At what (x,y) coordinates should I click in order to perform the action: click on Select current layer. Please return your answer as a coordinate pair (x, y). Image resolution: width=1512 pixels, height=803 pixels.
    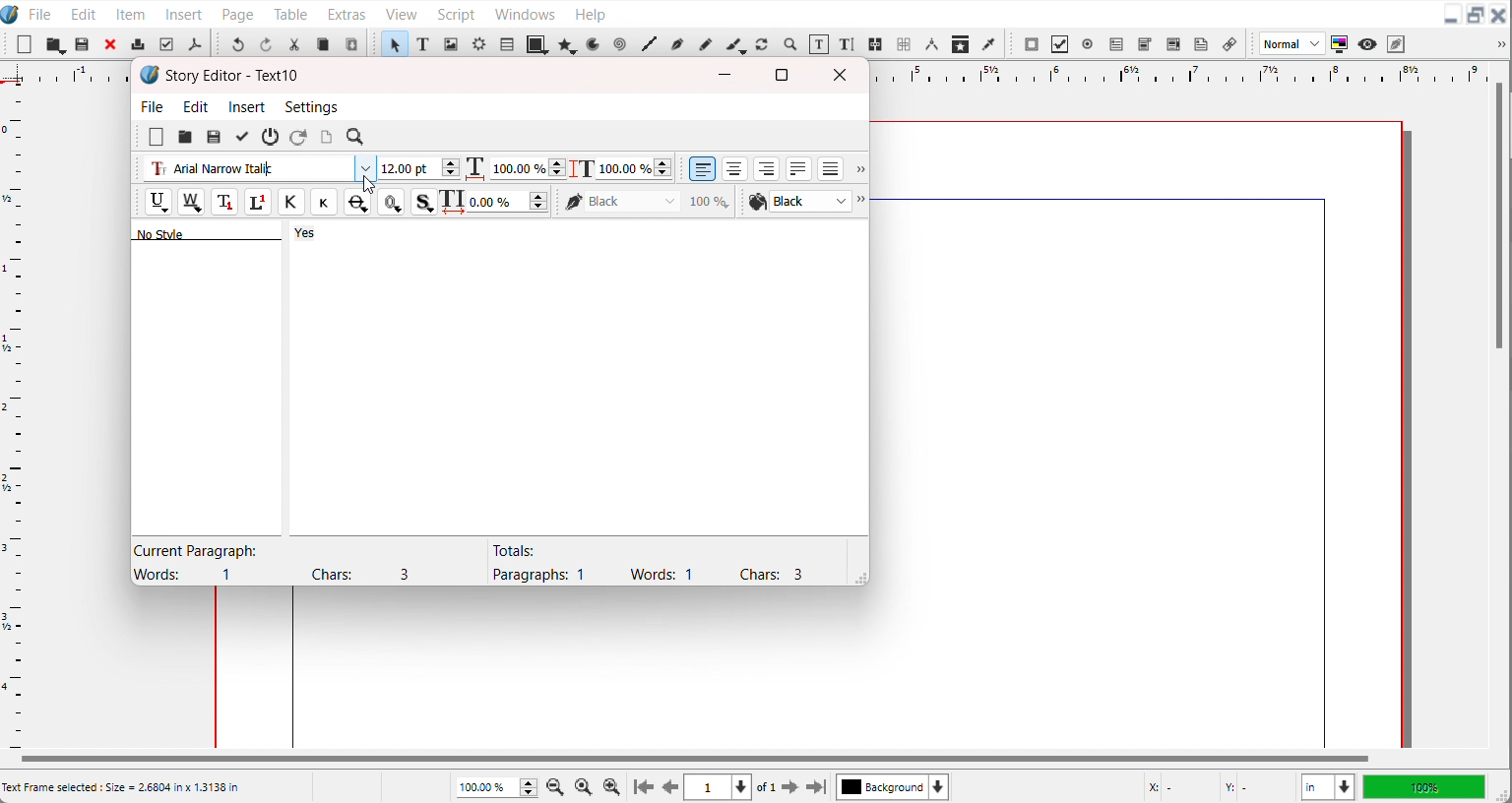
    Looking at the image, I should click on (893, 786).